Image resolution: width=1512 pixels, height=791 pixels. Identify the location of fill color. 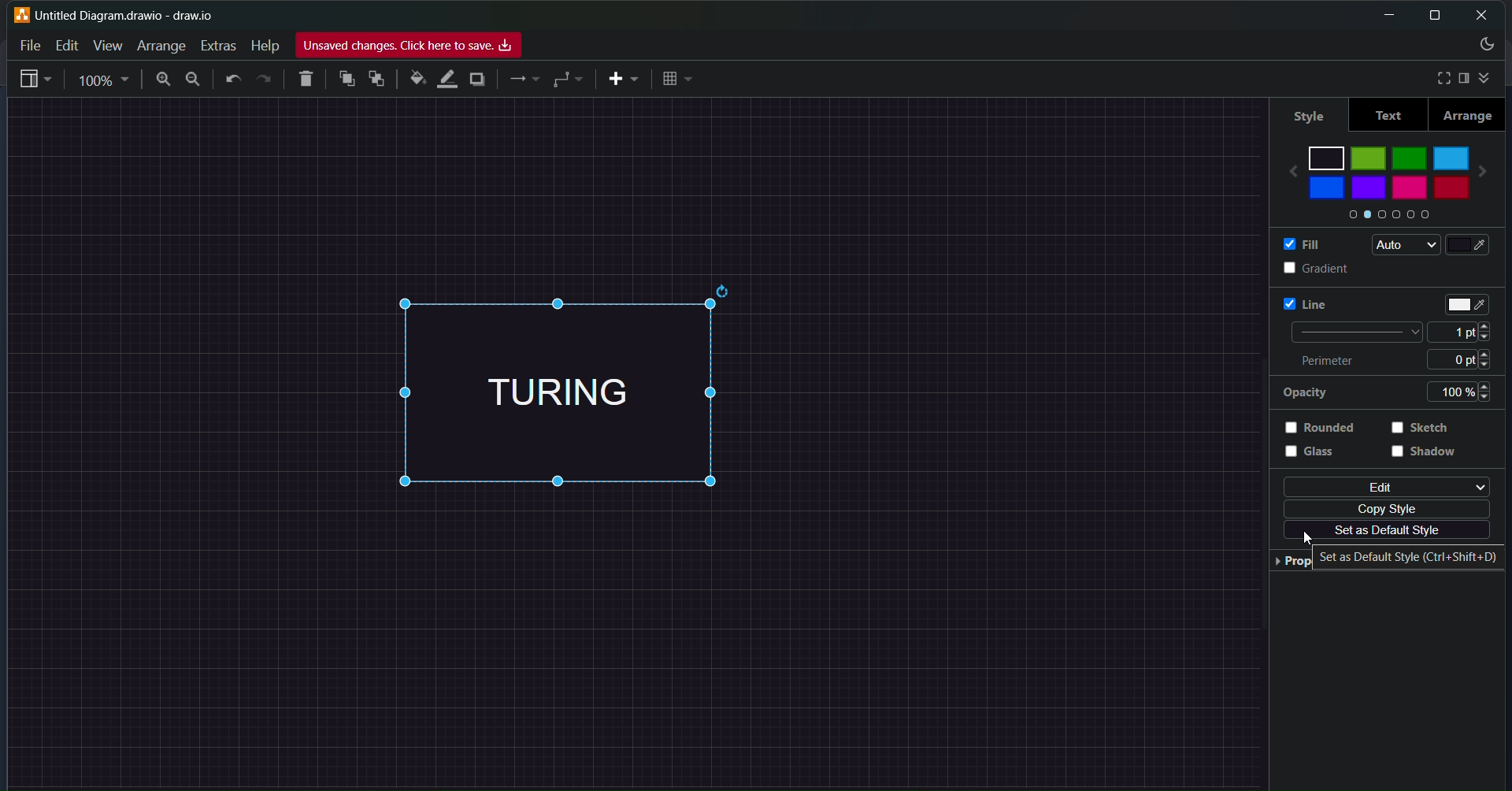
(415, 79).